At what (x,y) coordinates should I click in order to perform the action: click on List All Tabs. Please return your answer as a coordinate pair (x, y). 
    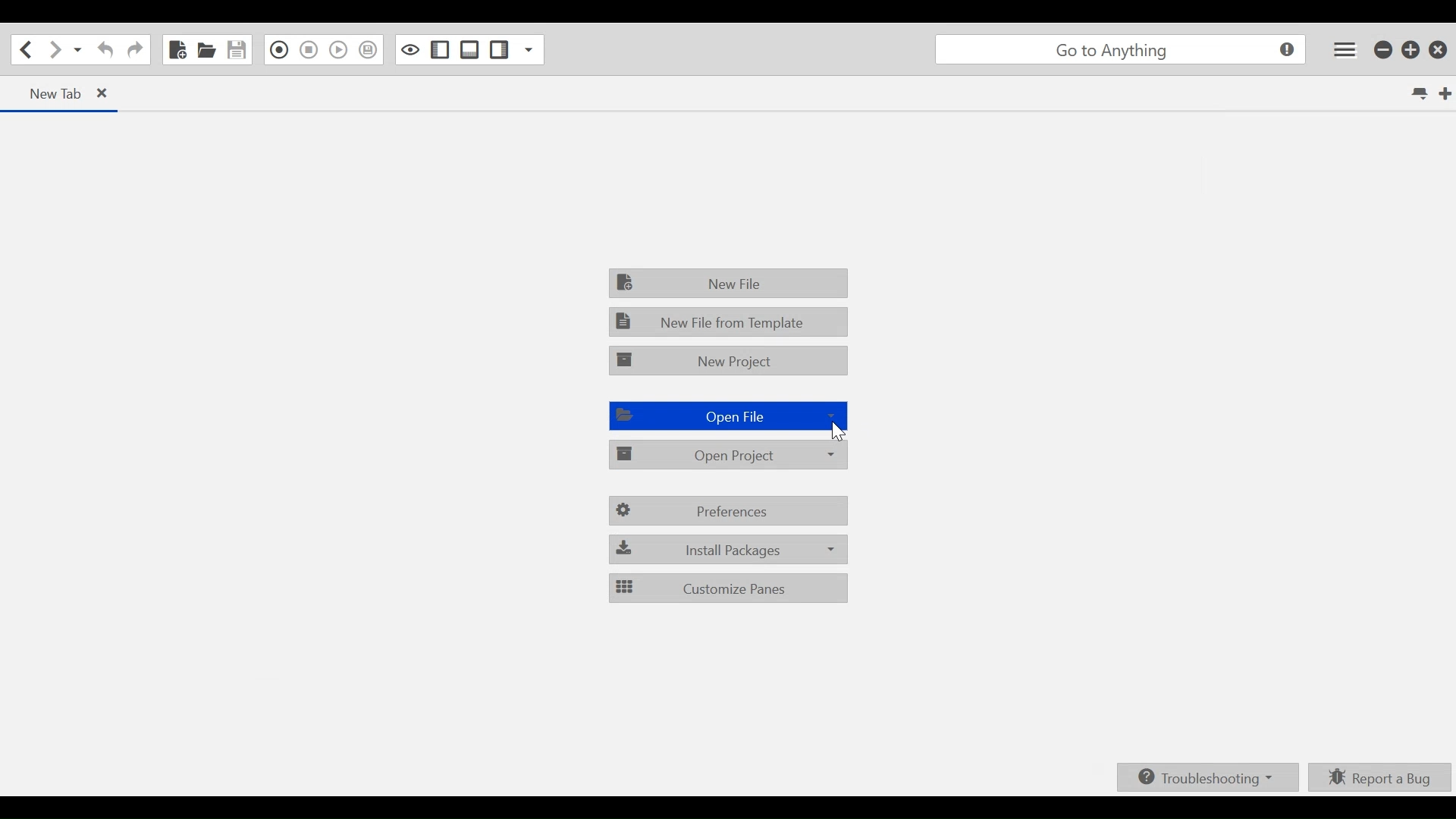
    Looking at the image, I should click on (1421, 93).